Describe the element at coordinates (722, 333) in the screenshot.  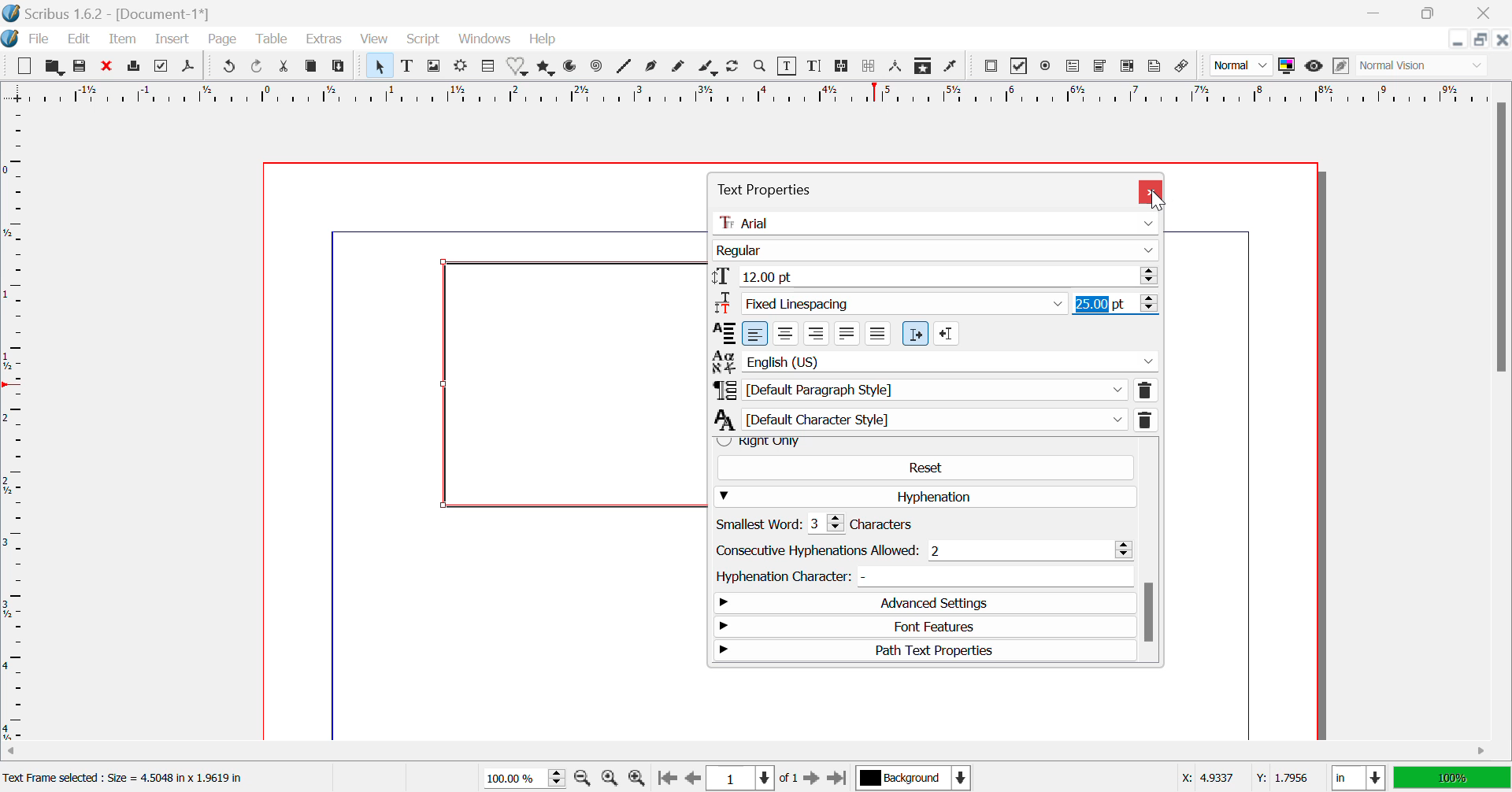
I see `alignment` at that location.